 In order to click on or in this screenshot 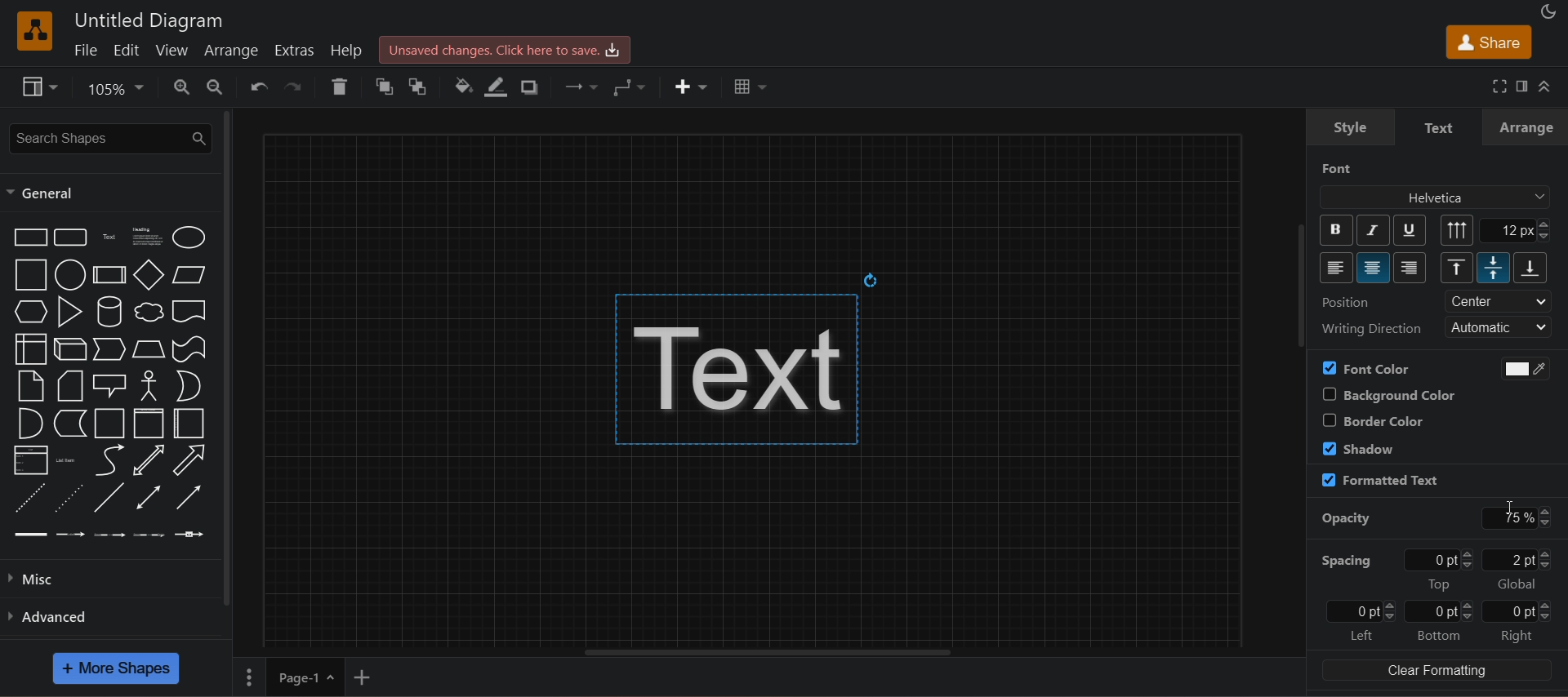, I will do `click(189, 386)`.